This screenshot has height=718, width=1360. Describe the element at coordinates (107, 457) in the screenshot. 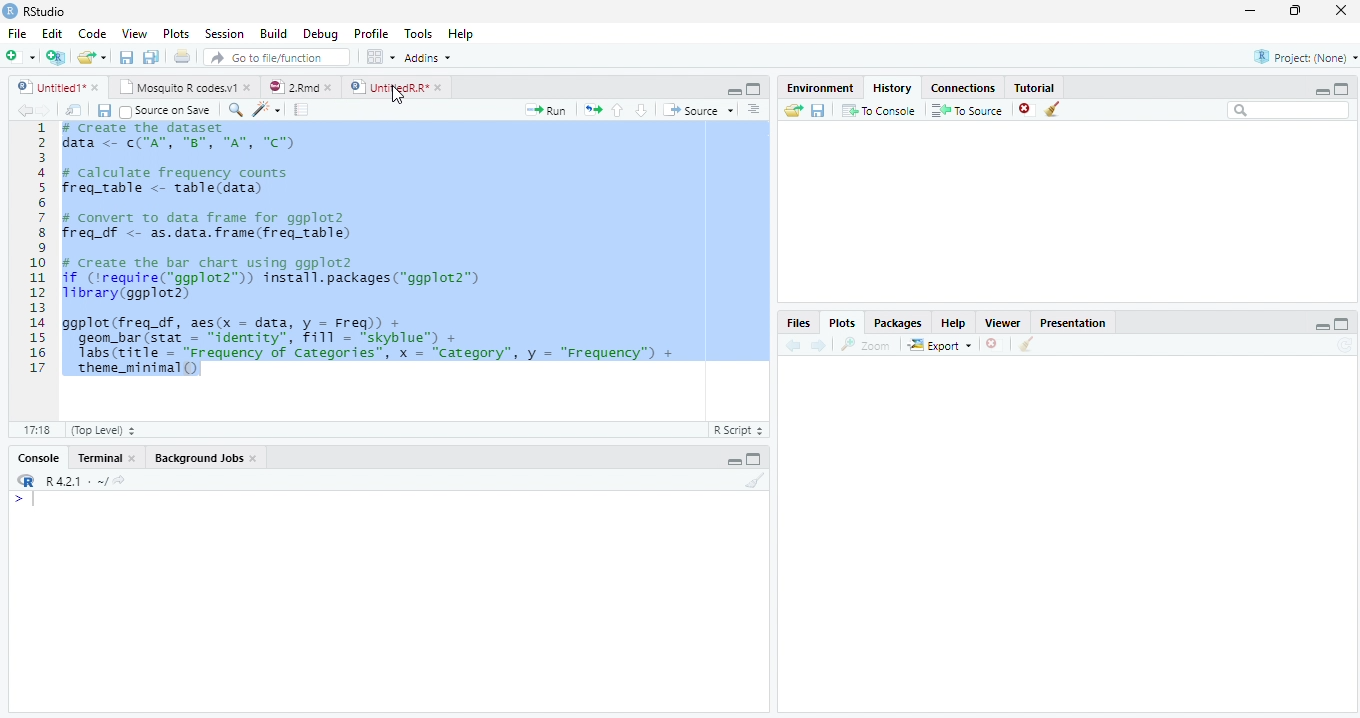

I see `Terminal` at that location.